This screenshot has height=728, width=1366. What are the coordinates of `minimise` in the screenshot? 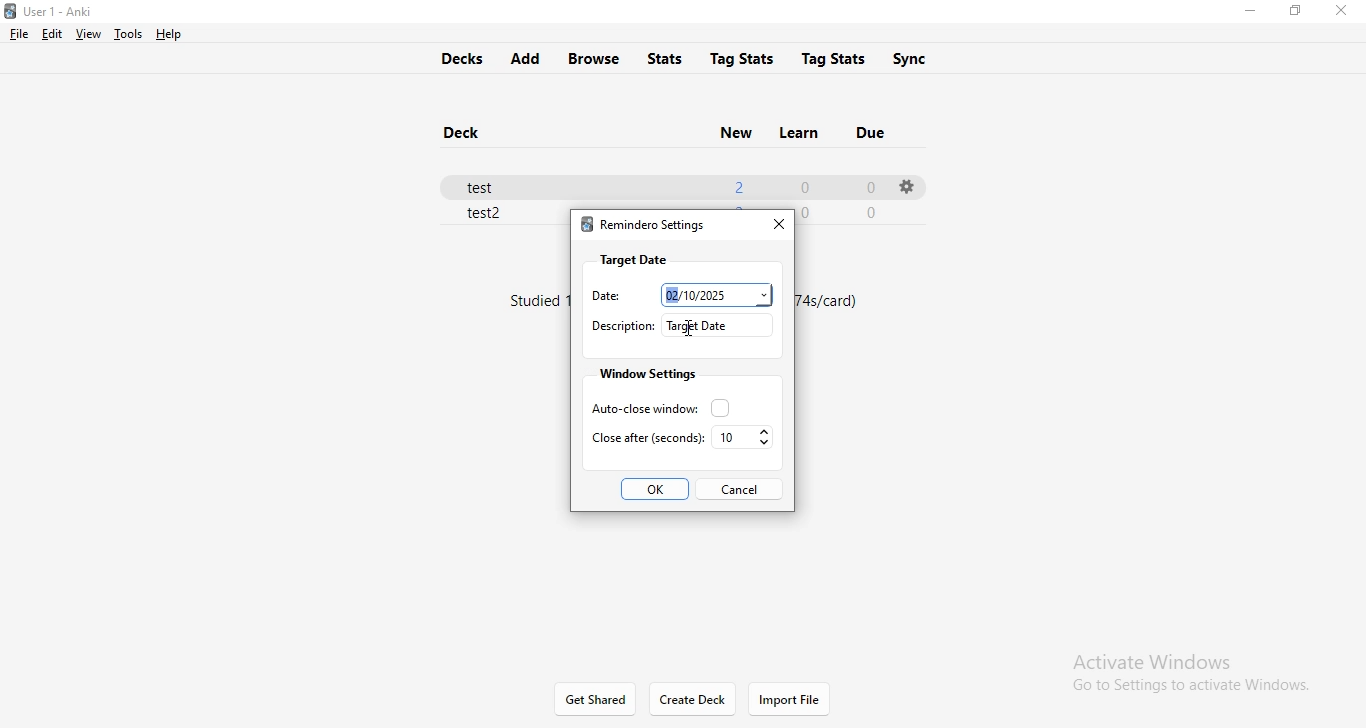 It's located at (1249, 13).